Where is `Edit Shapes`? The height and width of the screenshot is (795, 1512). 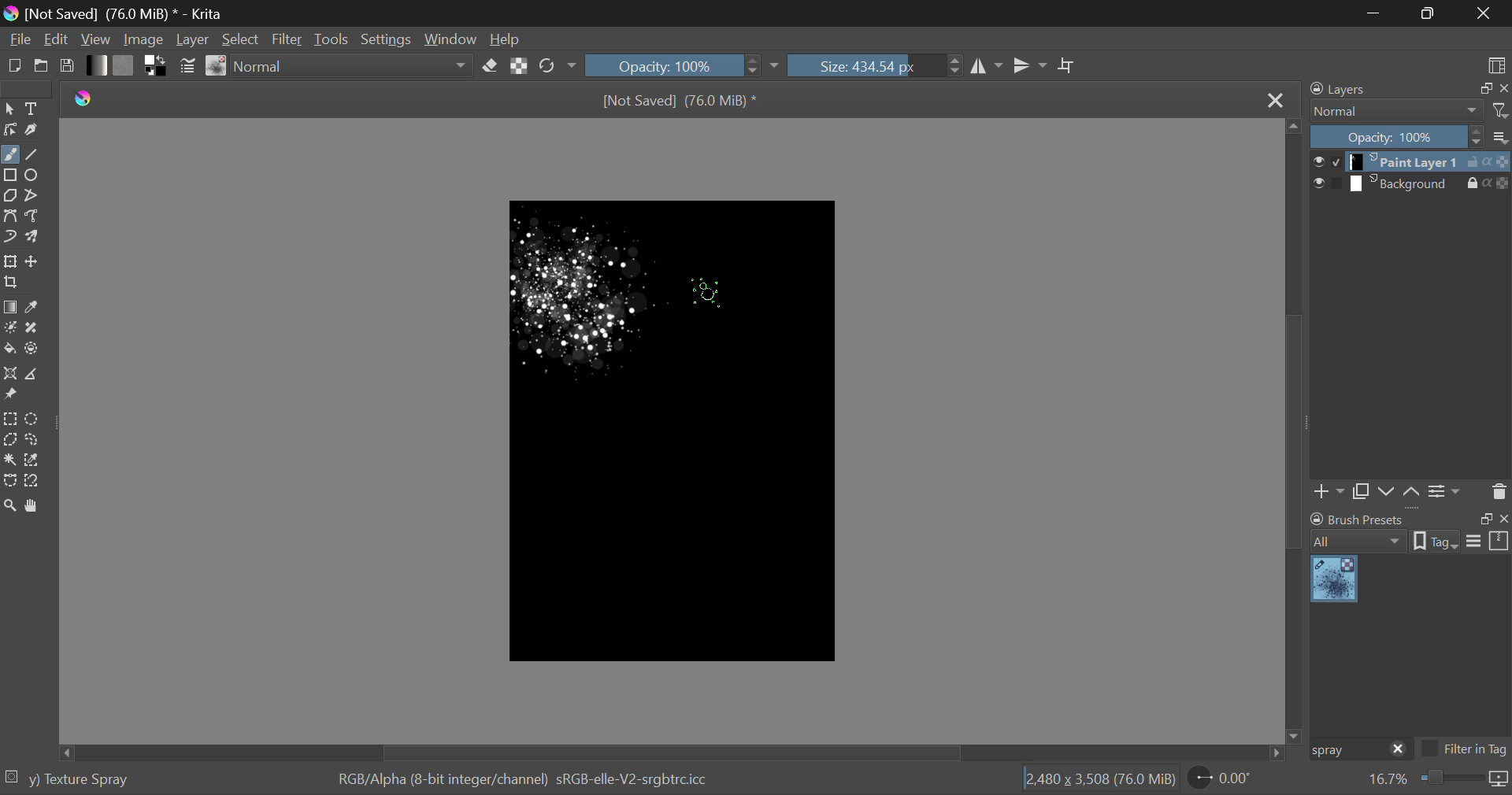 Edit Shapes is located at coordinates (11, 130).